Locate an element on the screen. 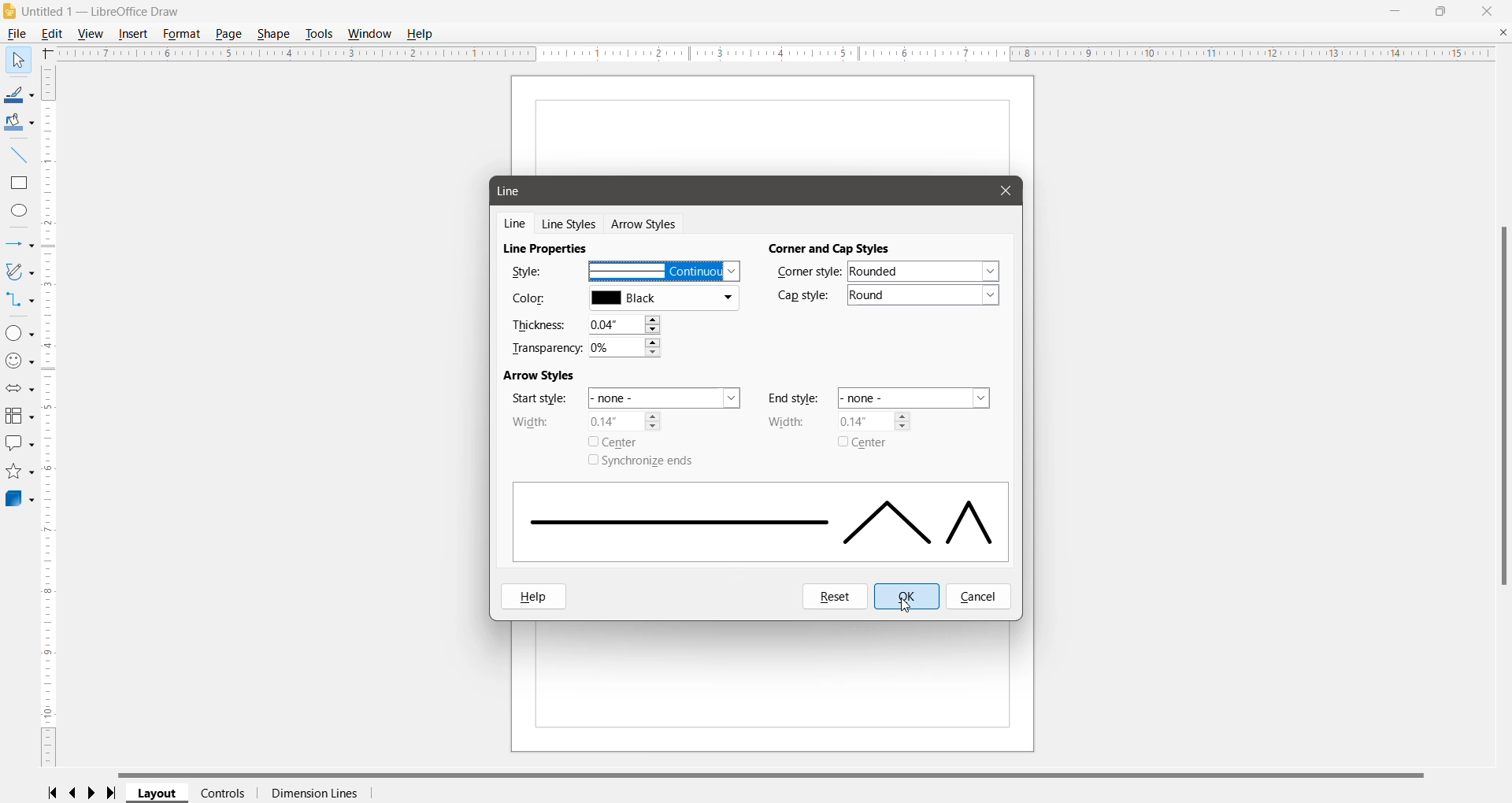 Image resolution: width=1512 pixels, height=803 pixels. Select the required line color is located at coordinates (664, 298).